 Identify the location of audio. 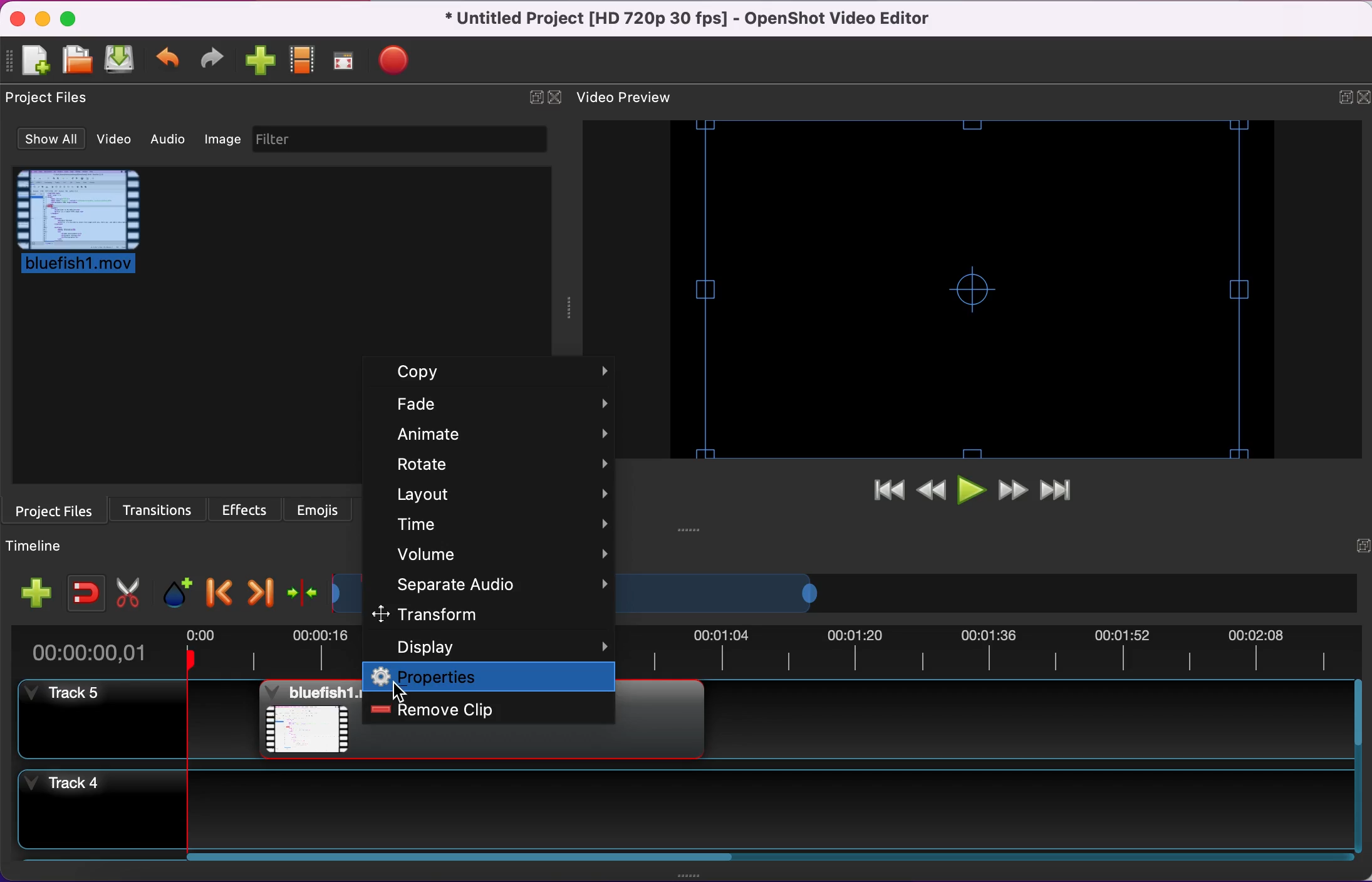
(163, 140).